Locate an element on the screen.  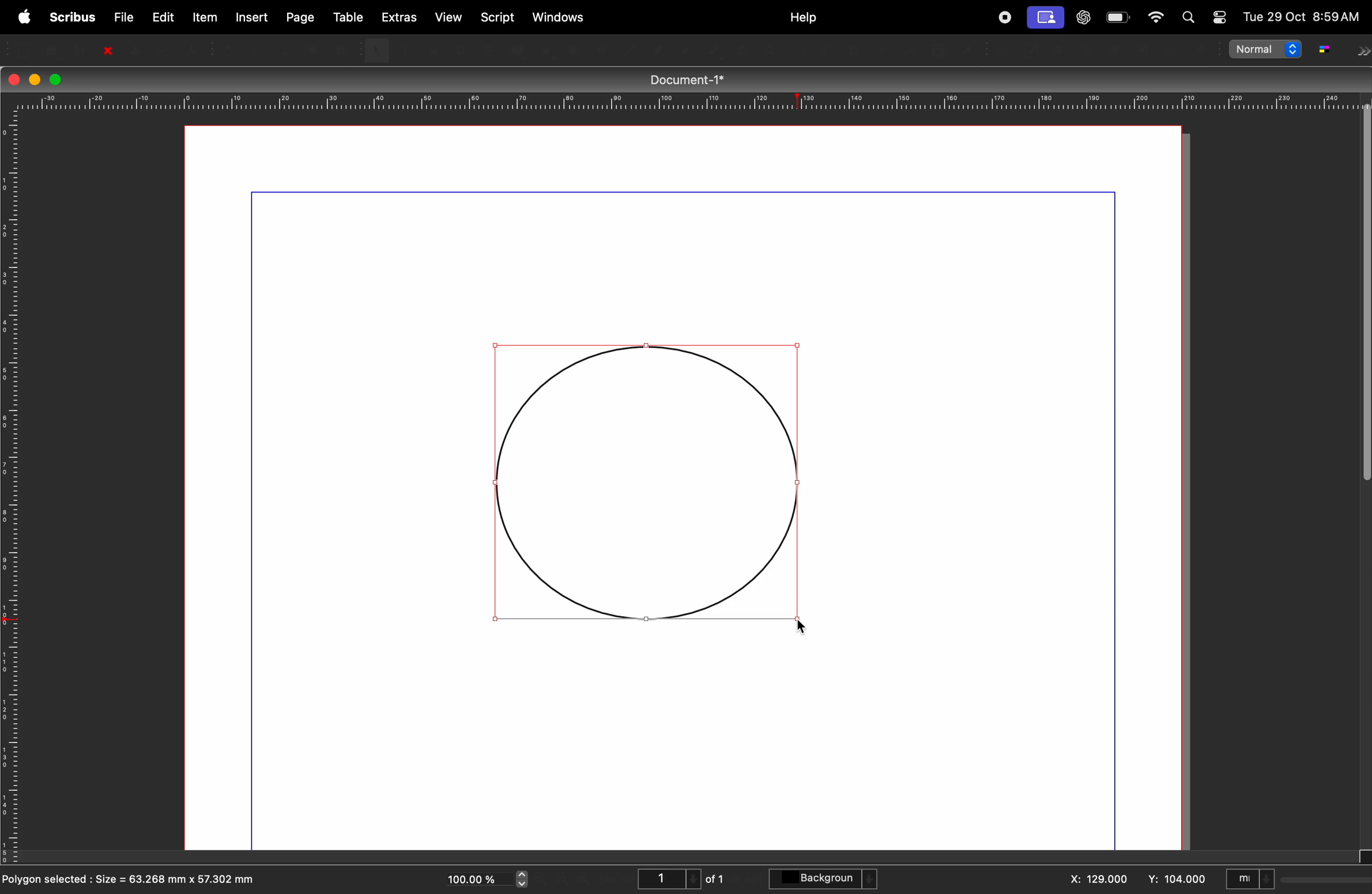
table is located at coordinates (346, 14).